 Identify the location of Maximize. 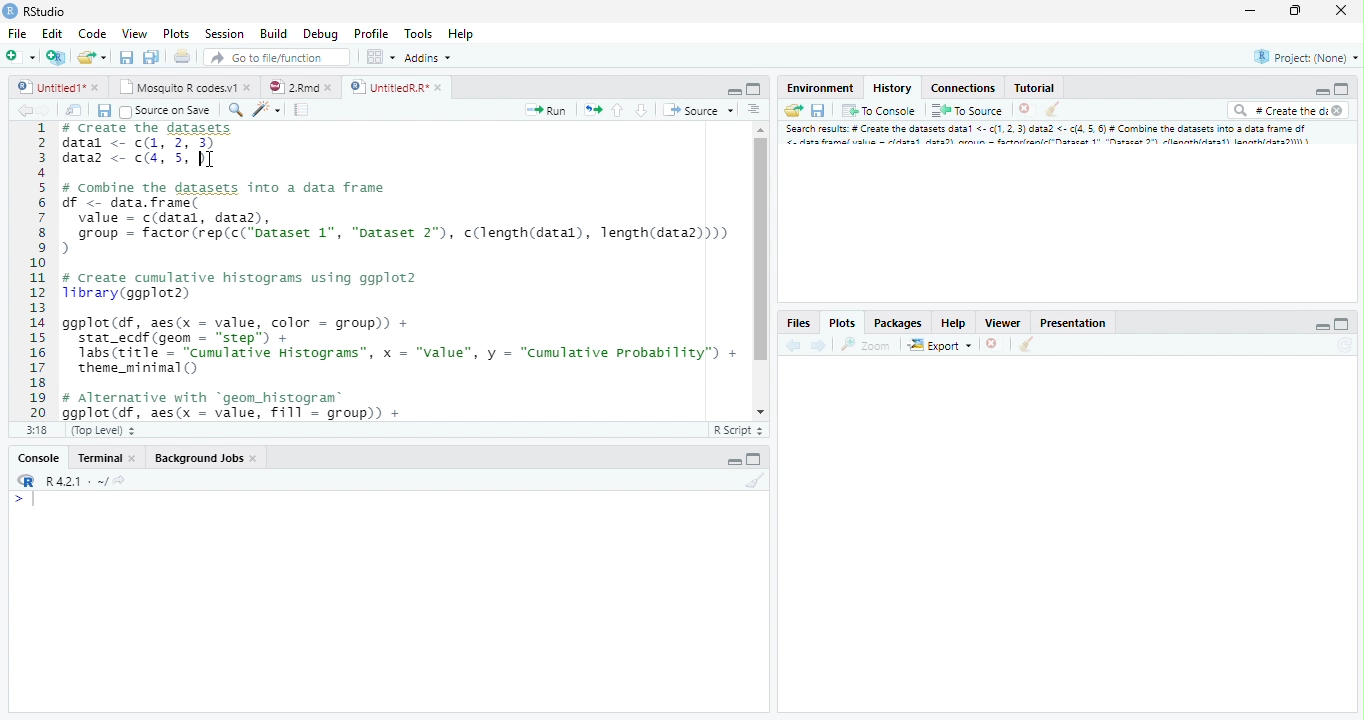
(754, 88).